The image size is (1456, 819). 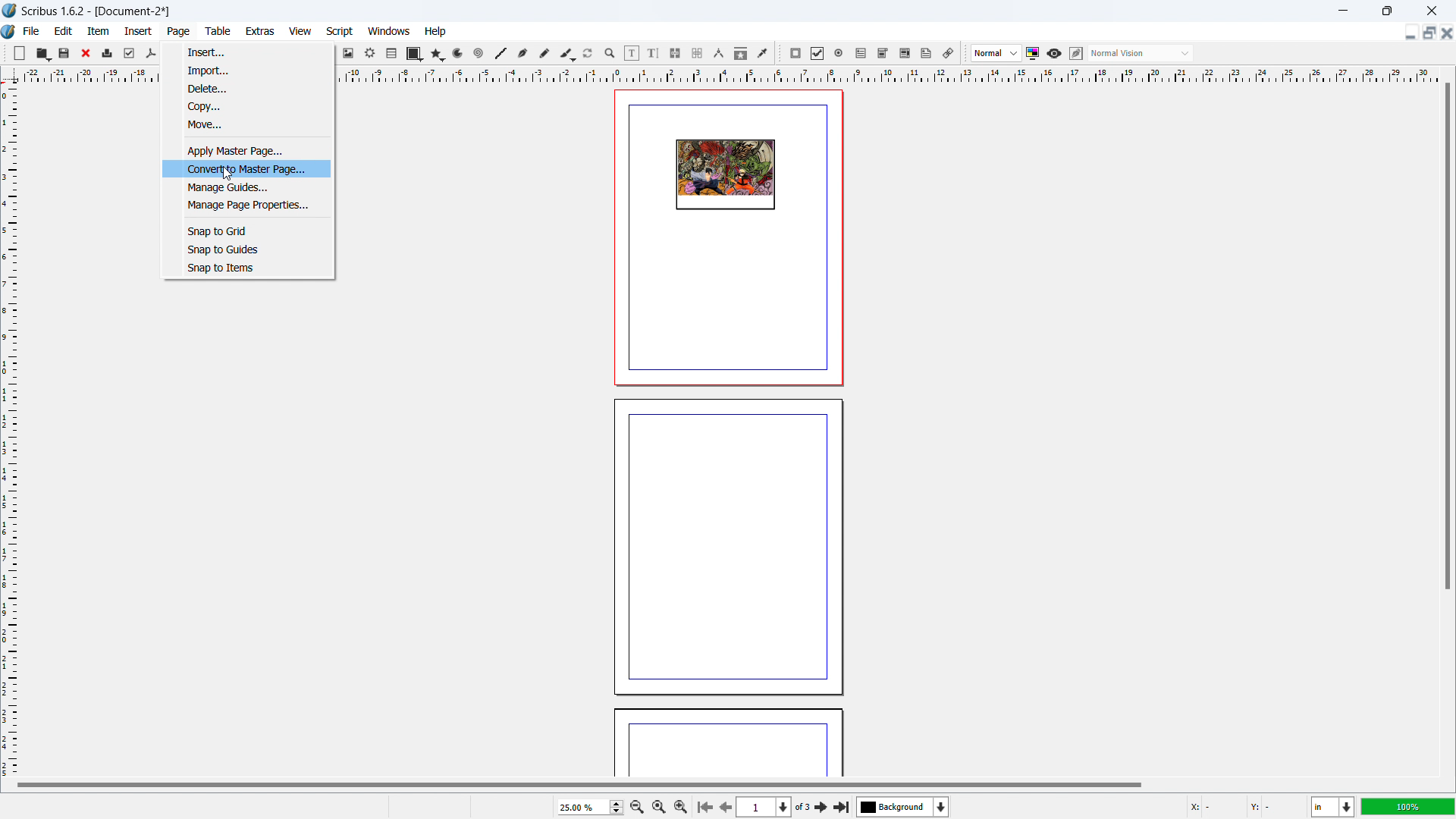 What do you see at coordinates (130, 53) in the screenshot?
I see `preflight checkbox` at bounding box center [130, 53].